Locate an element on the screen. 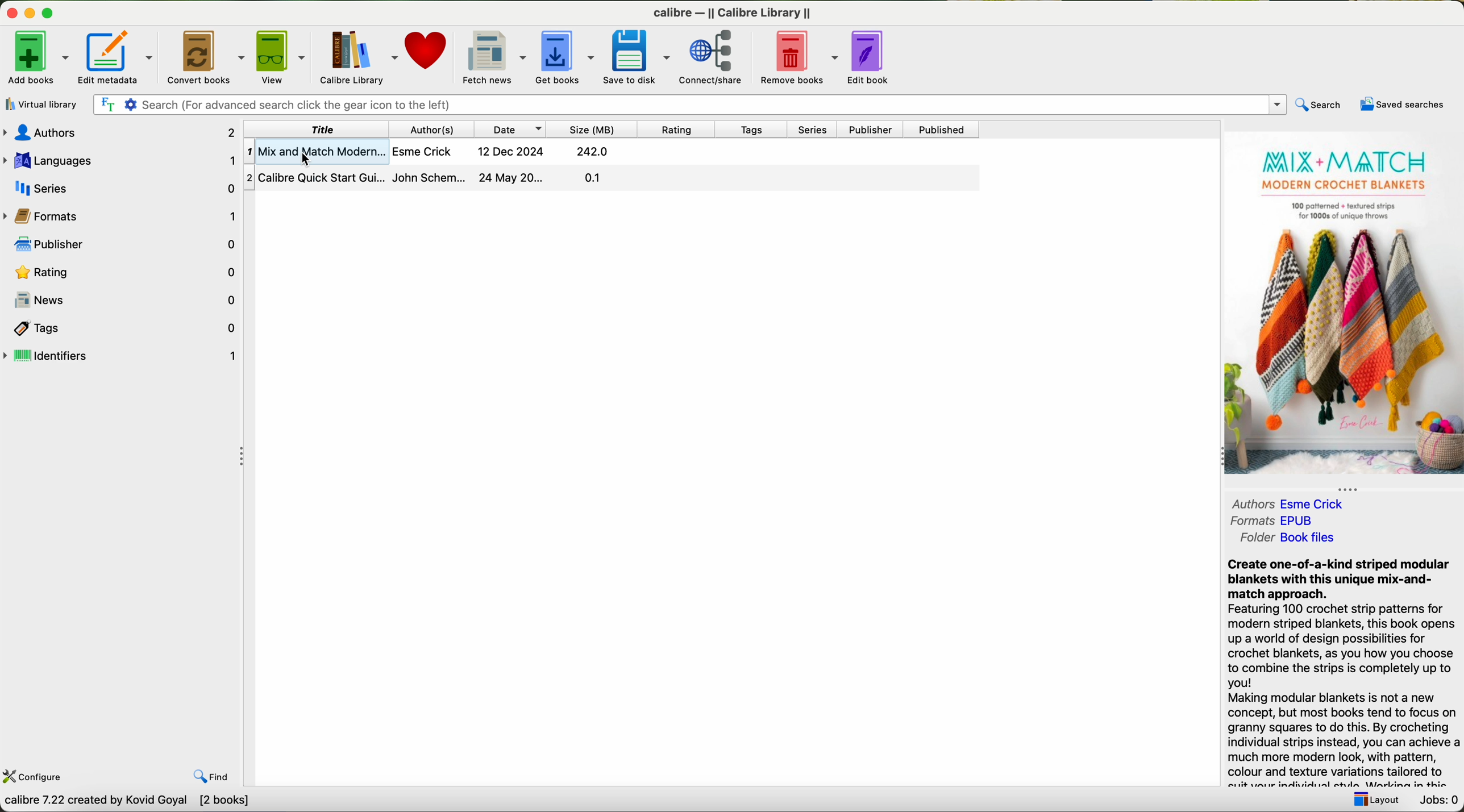 Image resolution: width=1464 pixels, height=812 pixels. folder is located at coordinates (1287, 538).